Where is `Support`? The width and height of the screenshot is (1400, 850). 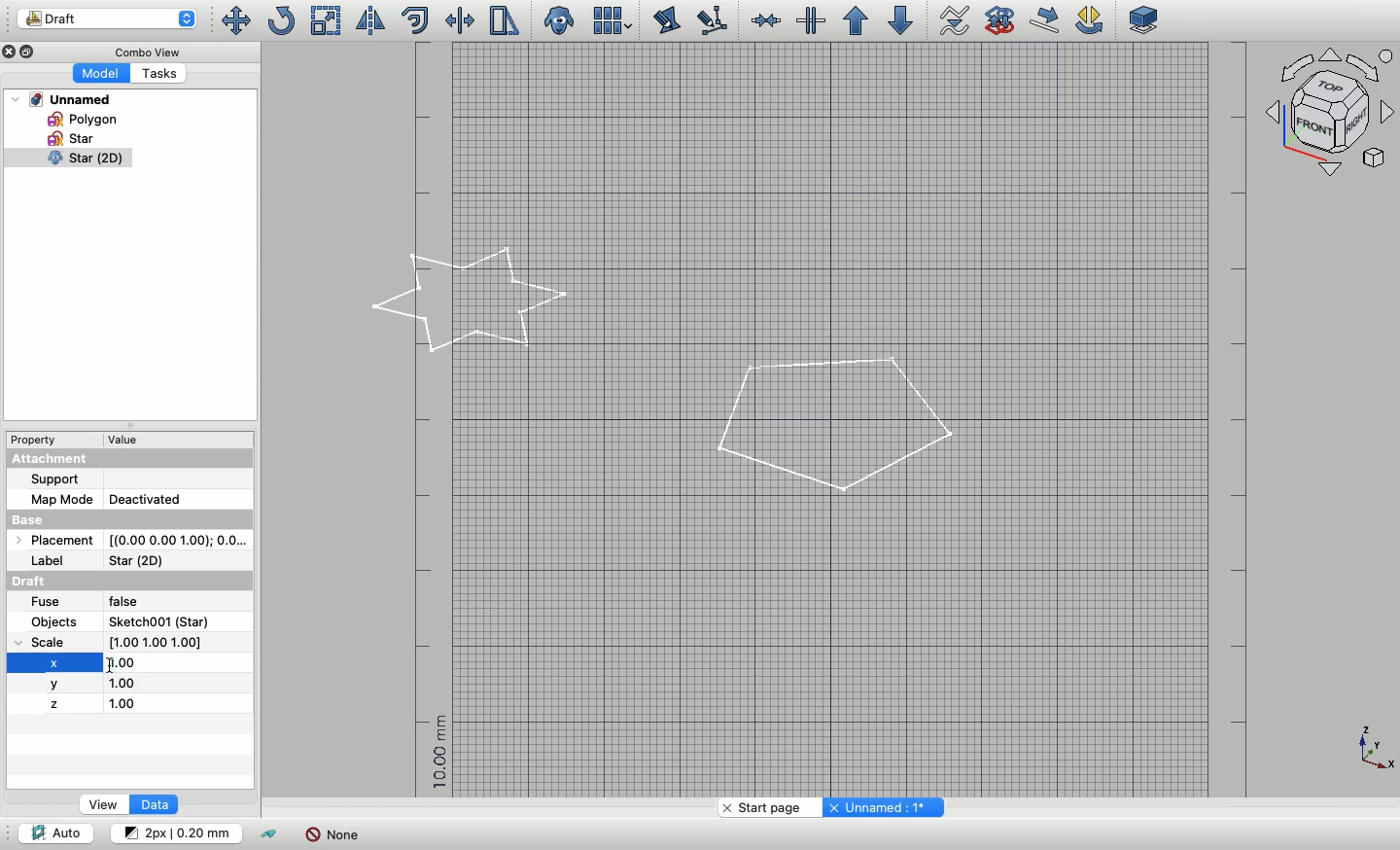
Support is located at coordinates (55, 479).